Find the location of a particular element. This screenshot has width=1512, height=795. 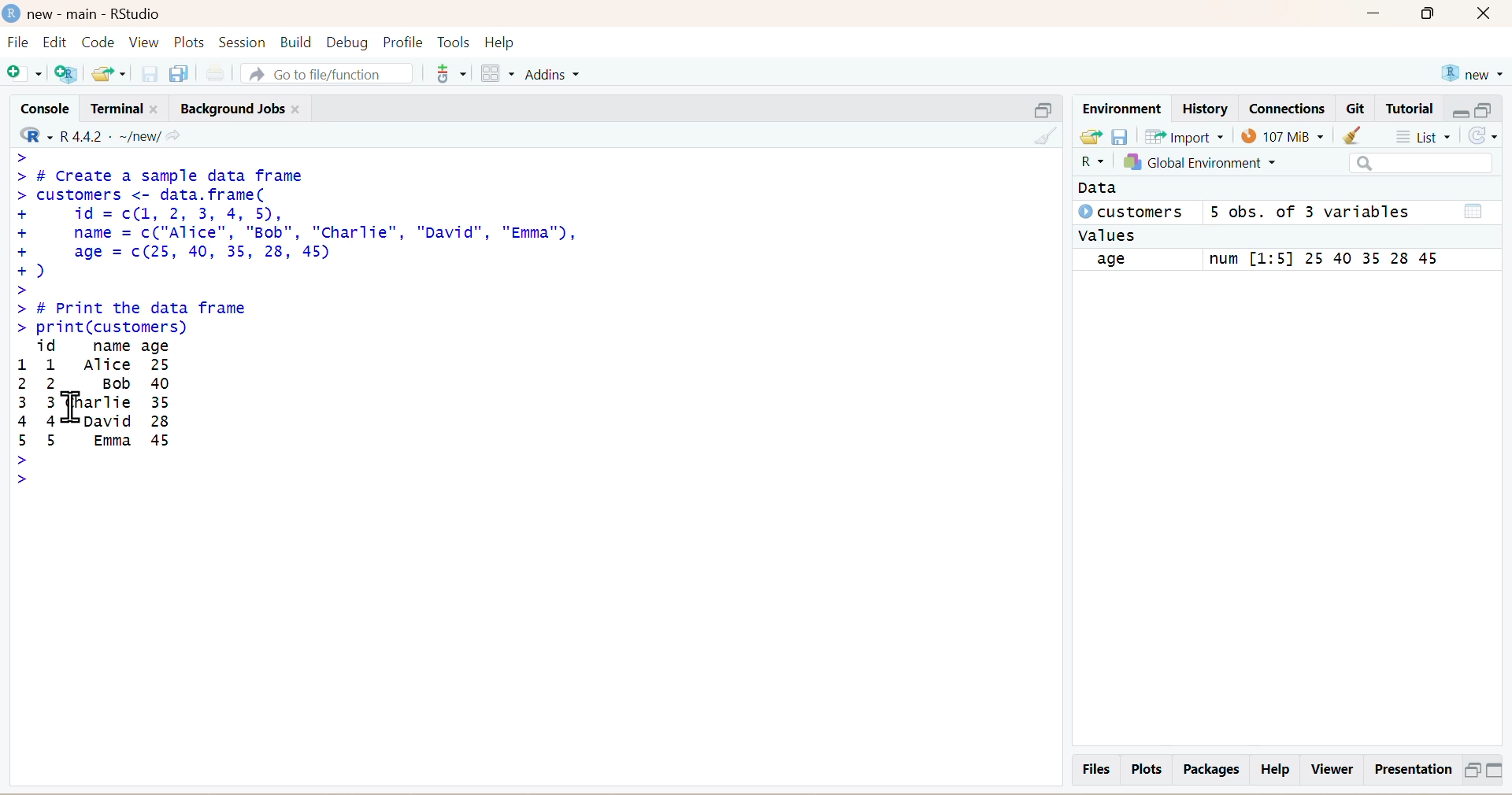

Terminal is located at coordinates (122, 106).